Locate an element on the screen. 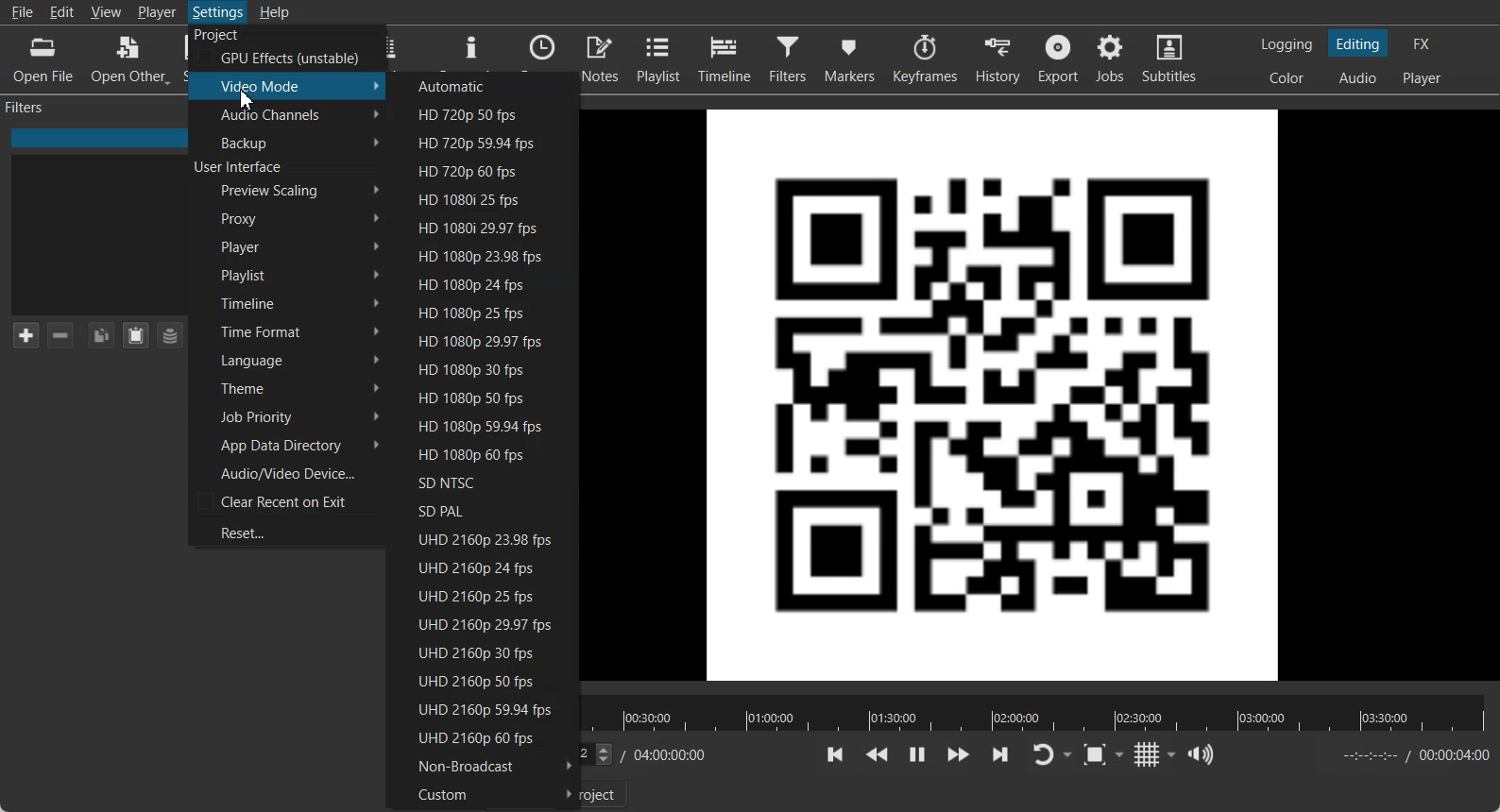 This screenshot has height=812, width=1500. File preview window is located at coordinates (1045, 394).